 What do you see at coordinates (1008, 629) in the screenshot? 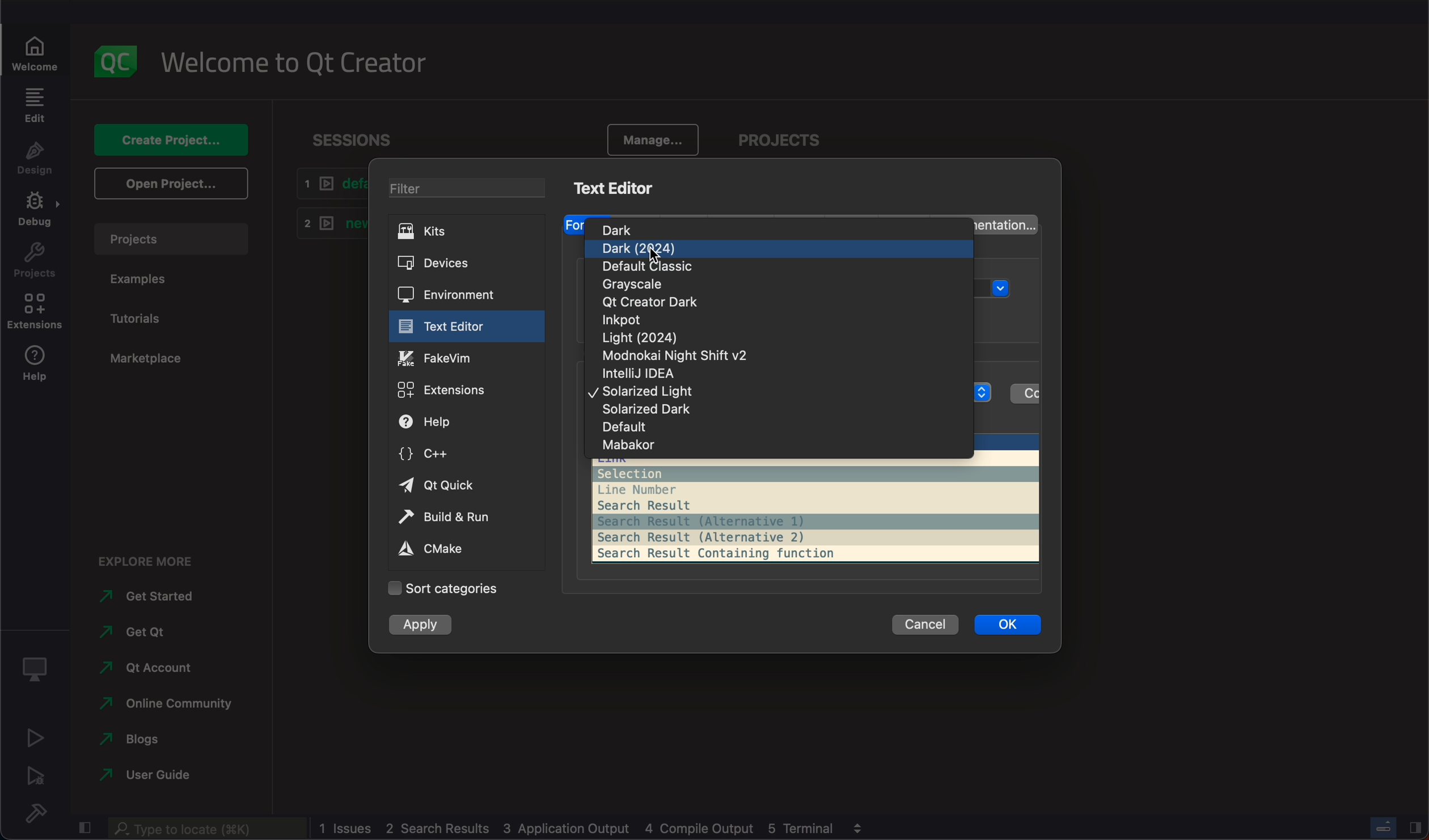
I see `ok` at bounding box center [1008, 629].